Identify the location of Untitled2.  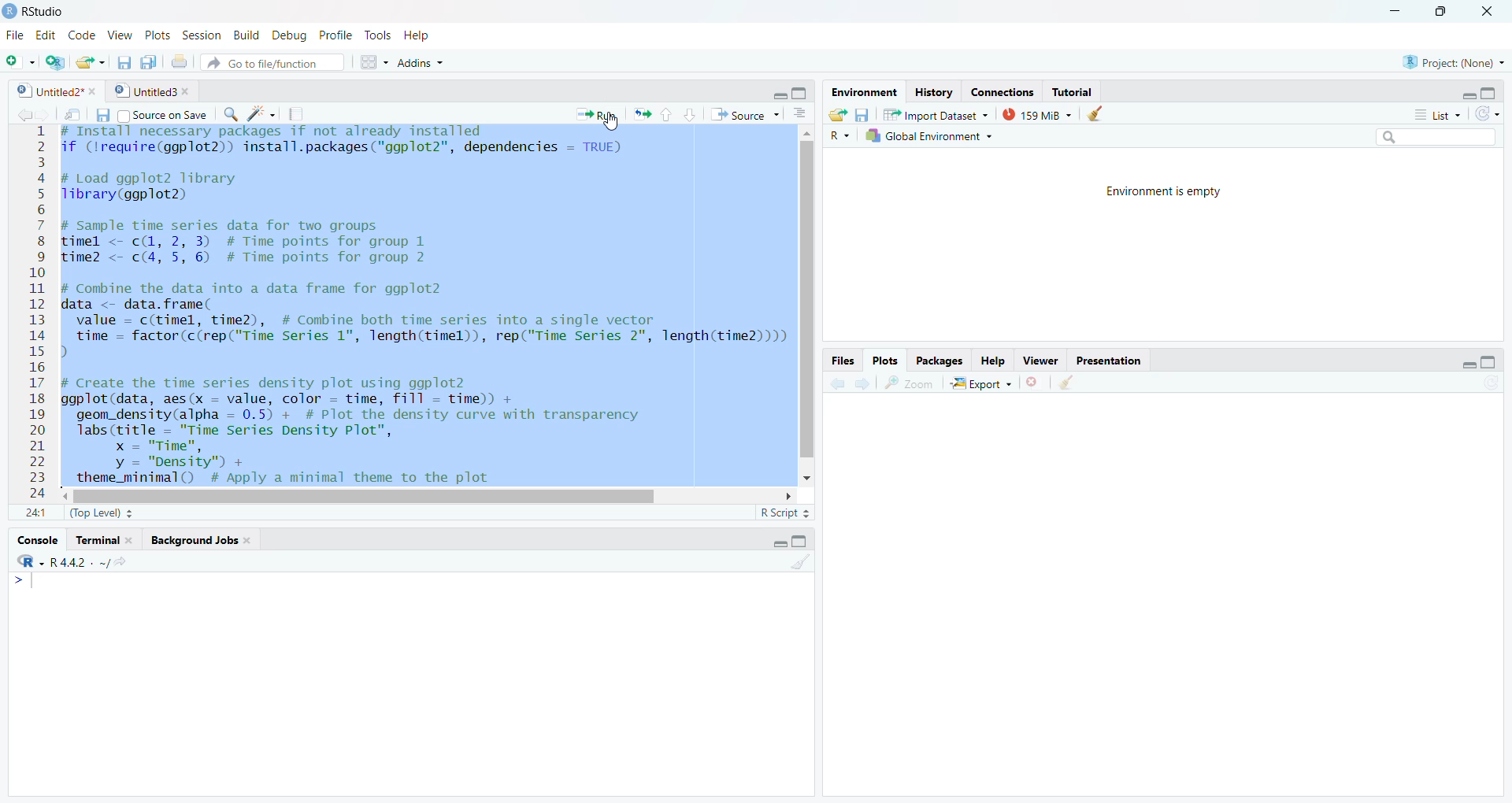
(55, 91).